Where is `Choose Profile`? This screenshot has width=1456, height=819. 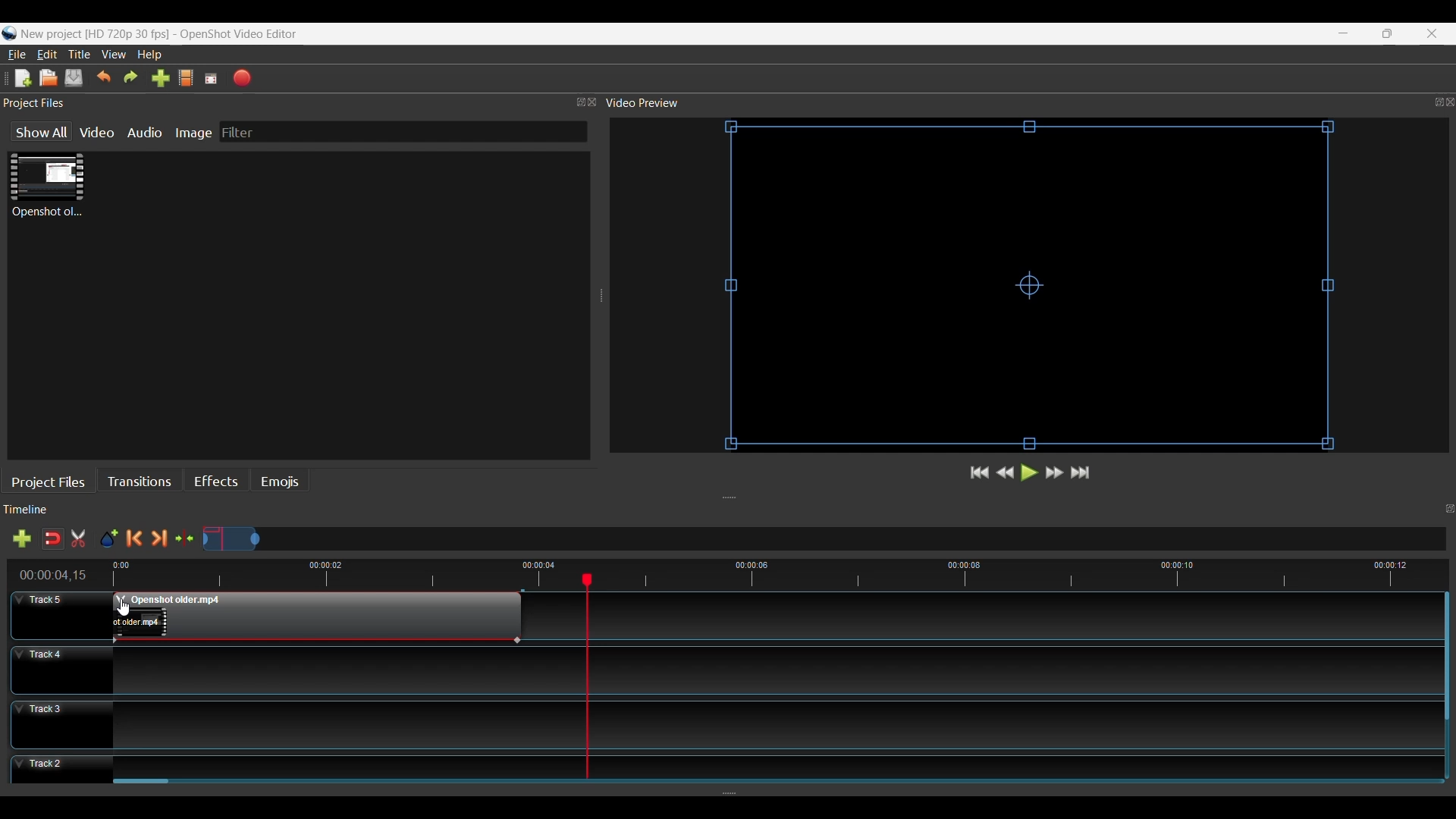
Choose Profile is located at coordinates (185, 79).